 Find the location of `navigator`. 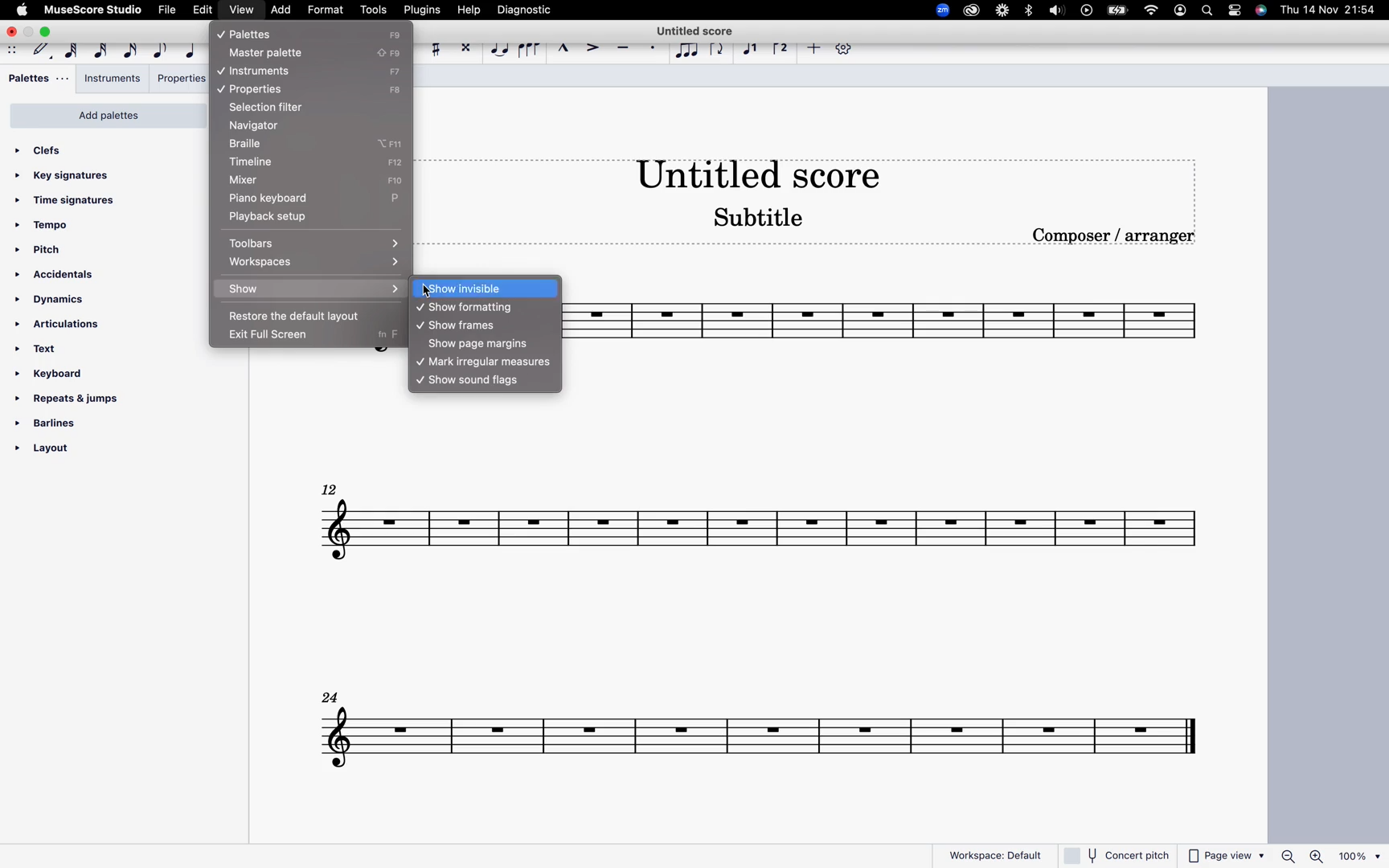

navigator is located at coordinates (270, 125).